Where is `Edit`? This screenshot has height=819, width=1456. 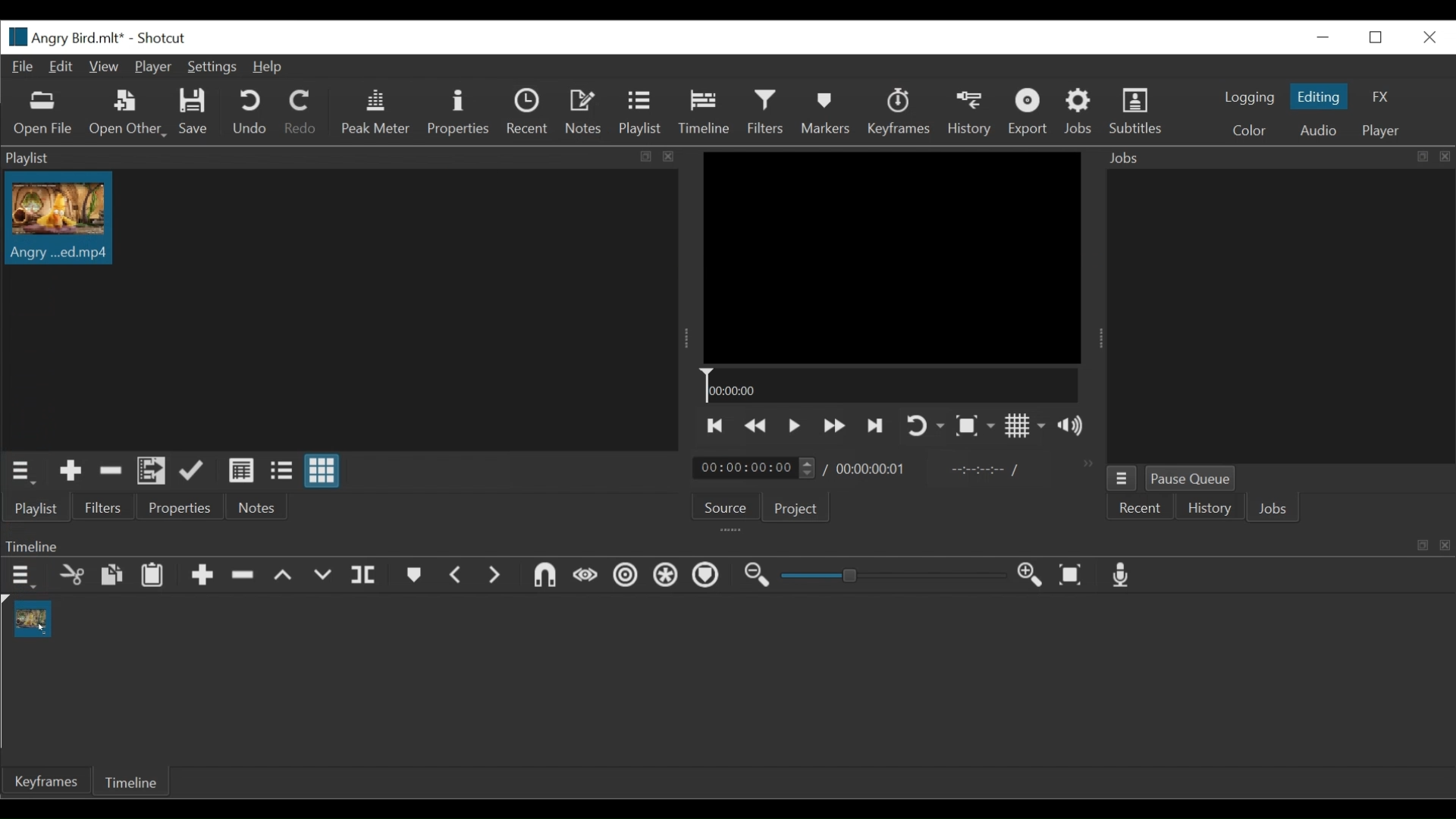
Edit is located at coordinates (58, 67).